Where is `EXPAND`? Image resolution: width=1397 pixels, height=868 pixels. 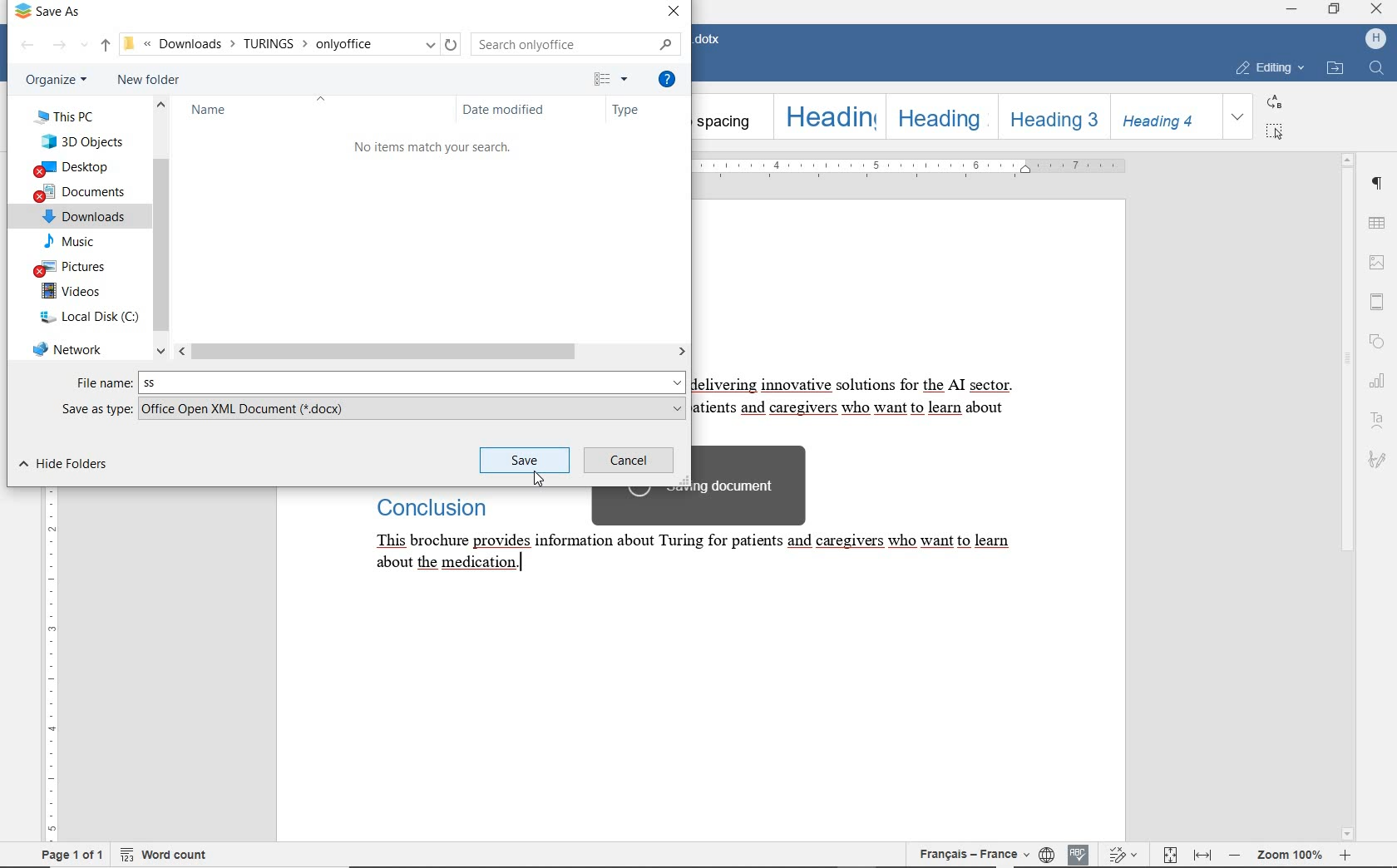 EXPAND is located at coordinates (1239, 118).